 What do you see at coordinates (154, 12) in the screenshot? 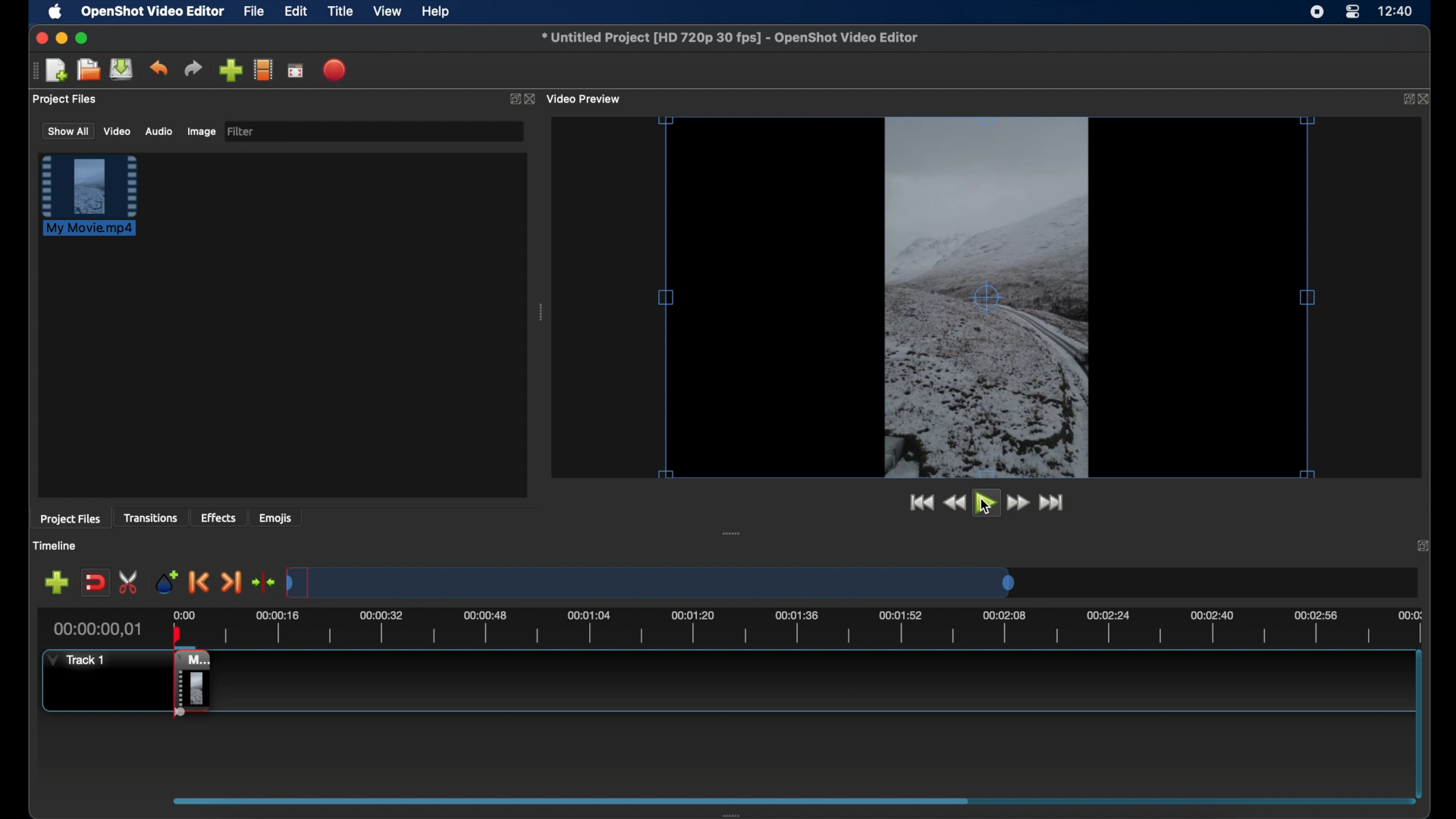
I see `openshot video editor` at bounding box center [154, 12].